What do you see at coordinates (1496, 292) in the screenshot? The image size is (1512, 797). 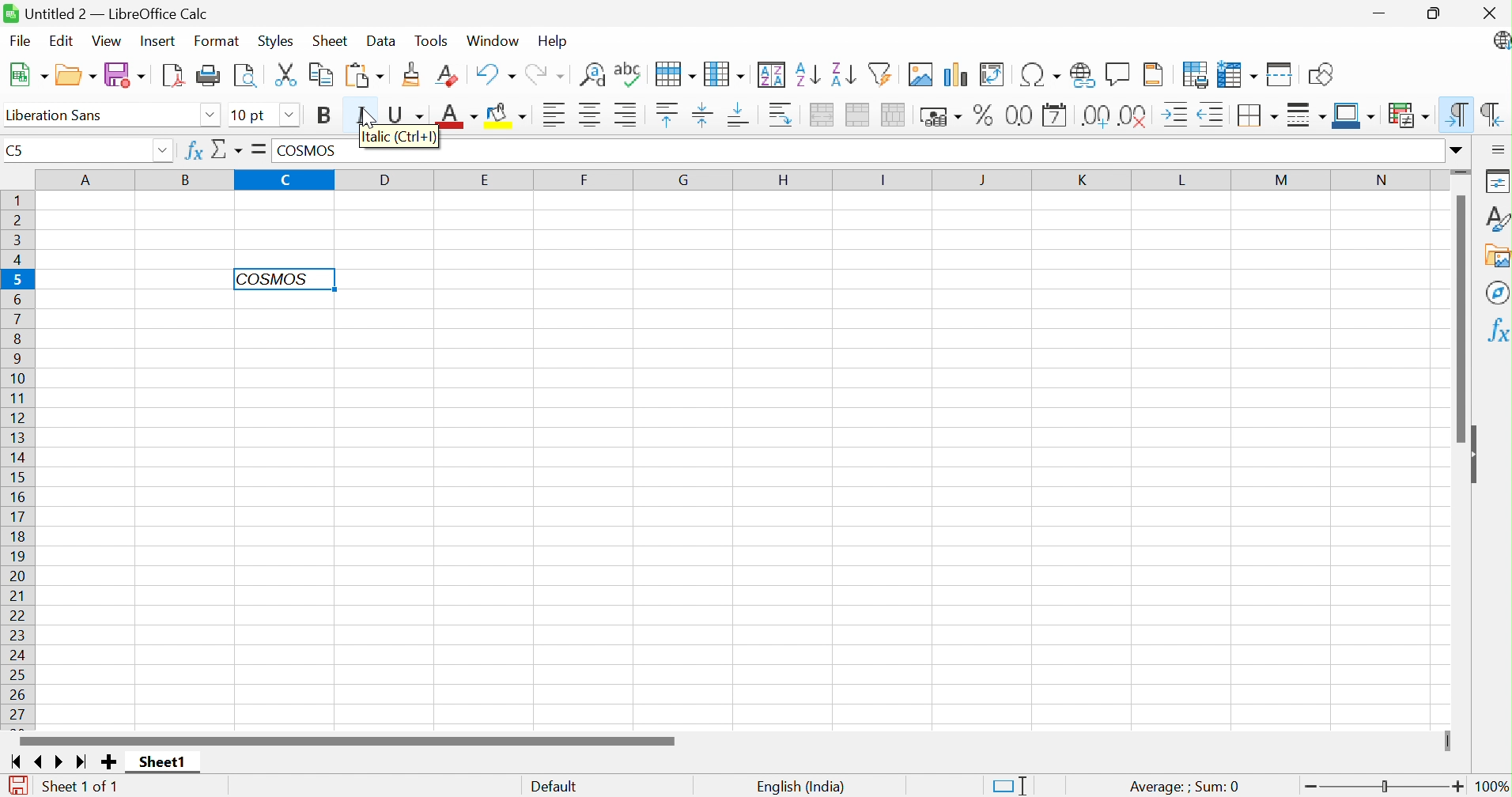 I see `Navigator` at bounding box center [1496, 292].